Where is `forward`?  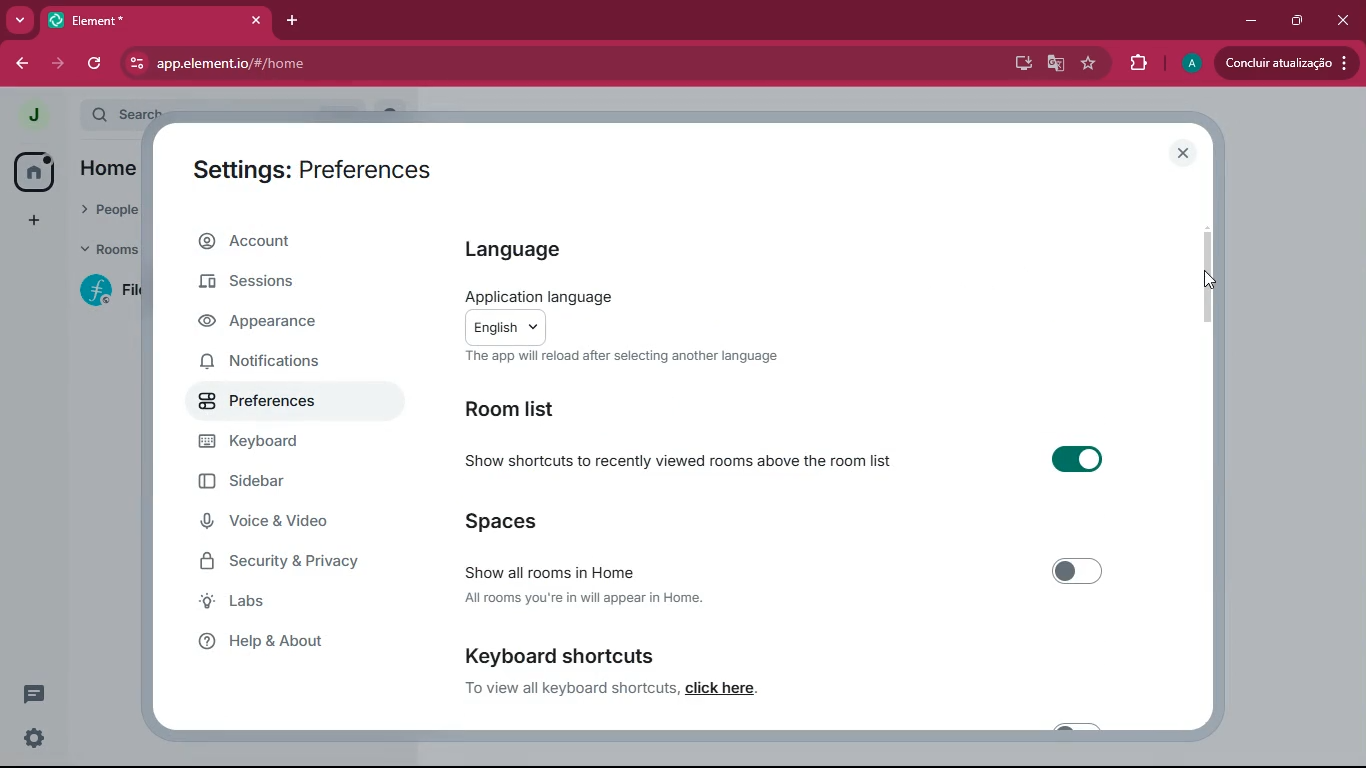 forward is located at coordinates (58, 67).